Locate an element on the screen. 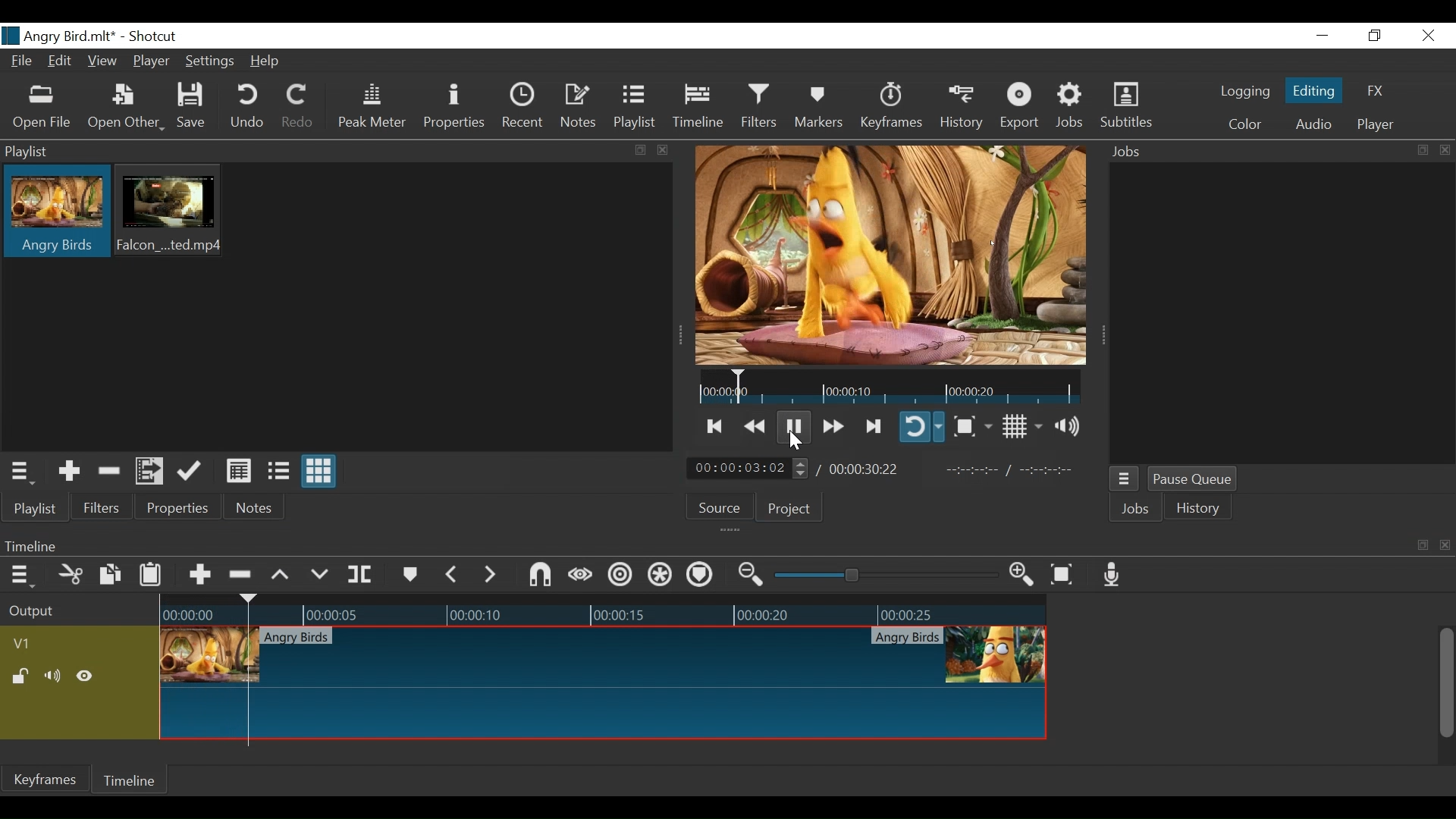 The width and height of the screenshot is (1456, 819). Properties is located at coordinates (180, 509).